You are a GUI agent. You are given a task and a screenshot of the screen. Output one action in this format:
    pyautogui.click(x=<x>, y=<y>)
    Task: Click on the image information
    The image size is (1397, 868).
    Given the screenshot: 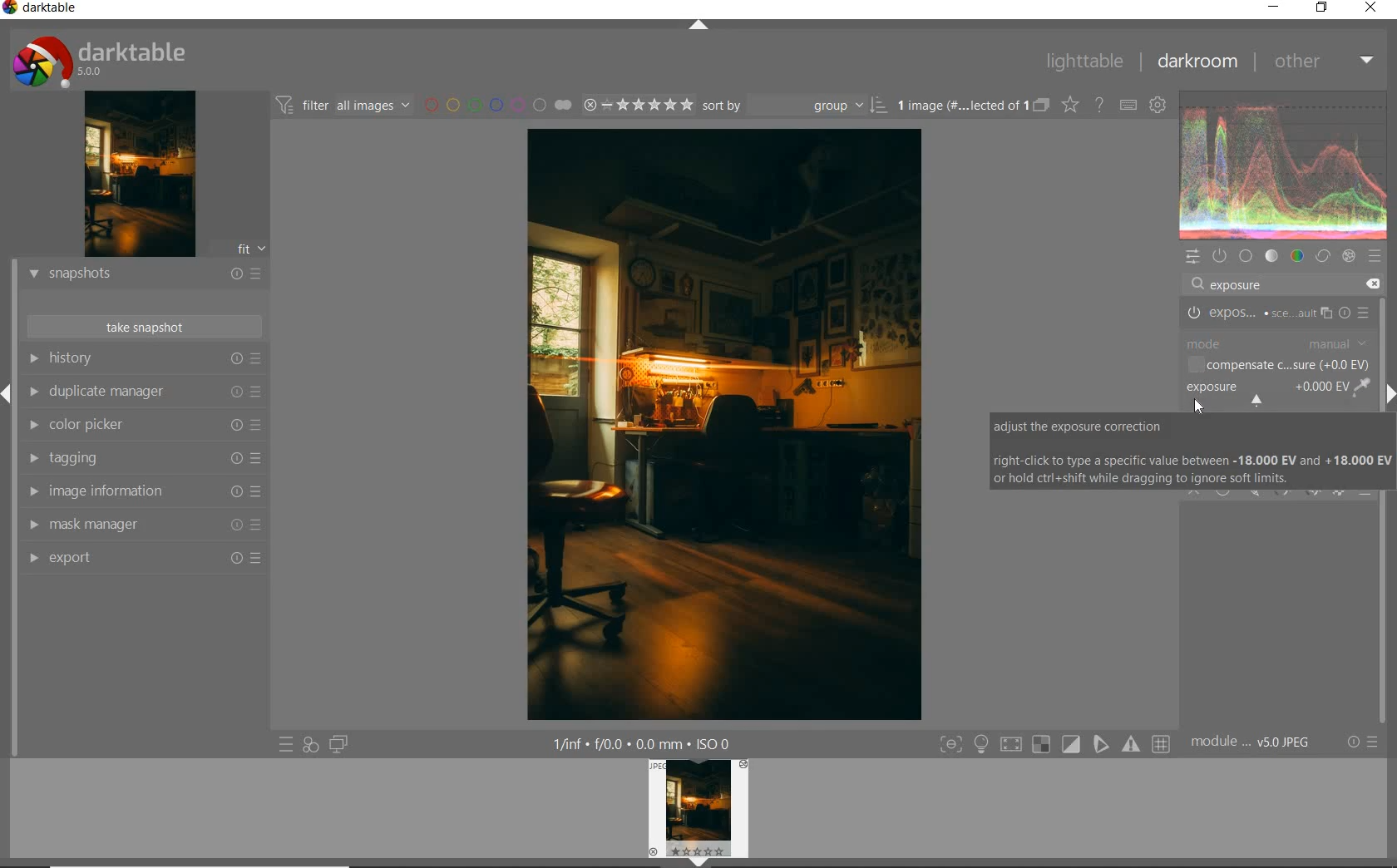 What is the action you would take?
    pyautogui.click(x=142, y=491)
    